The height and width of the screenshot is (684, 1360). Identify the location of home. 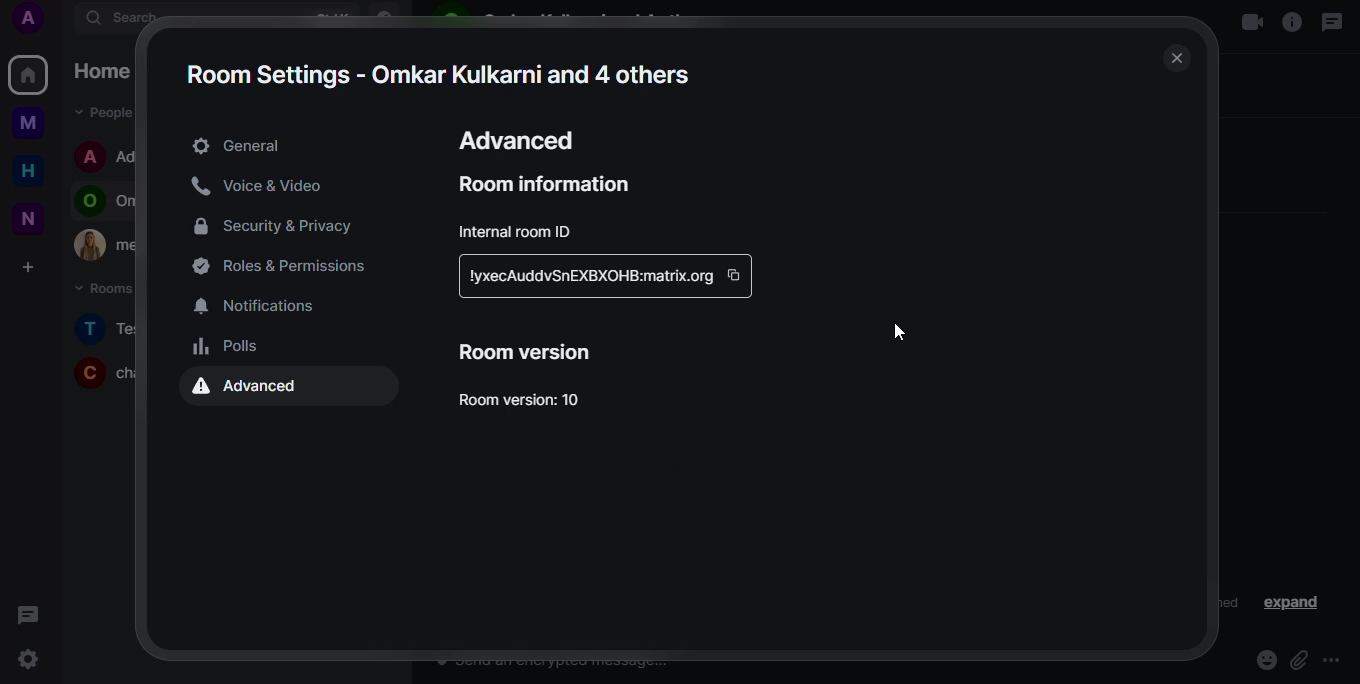
(28, 75).